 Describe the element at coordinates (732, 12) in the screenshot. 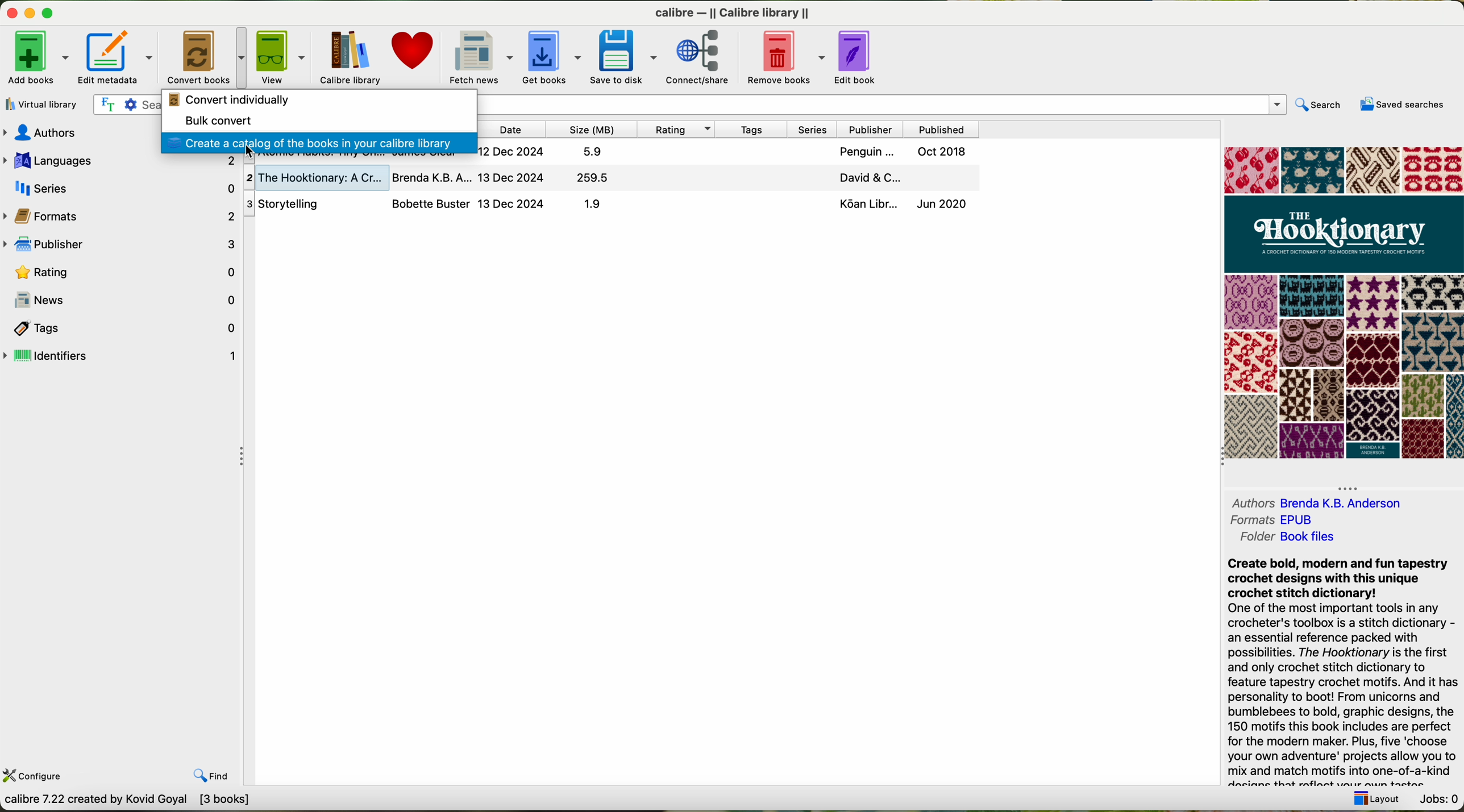

I see `Calibre library` at that location.